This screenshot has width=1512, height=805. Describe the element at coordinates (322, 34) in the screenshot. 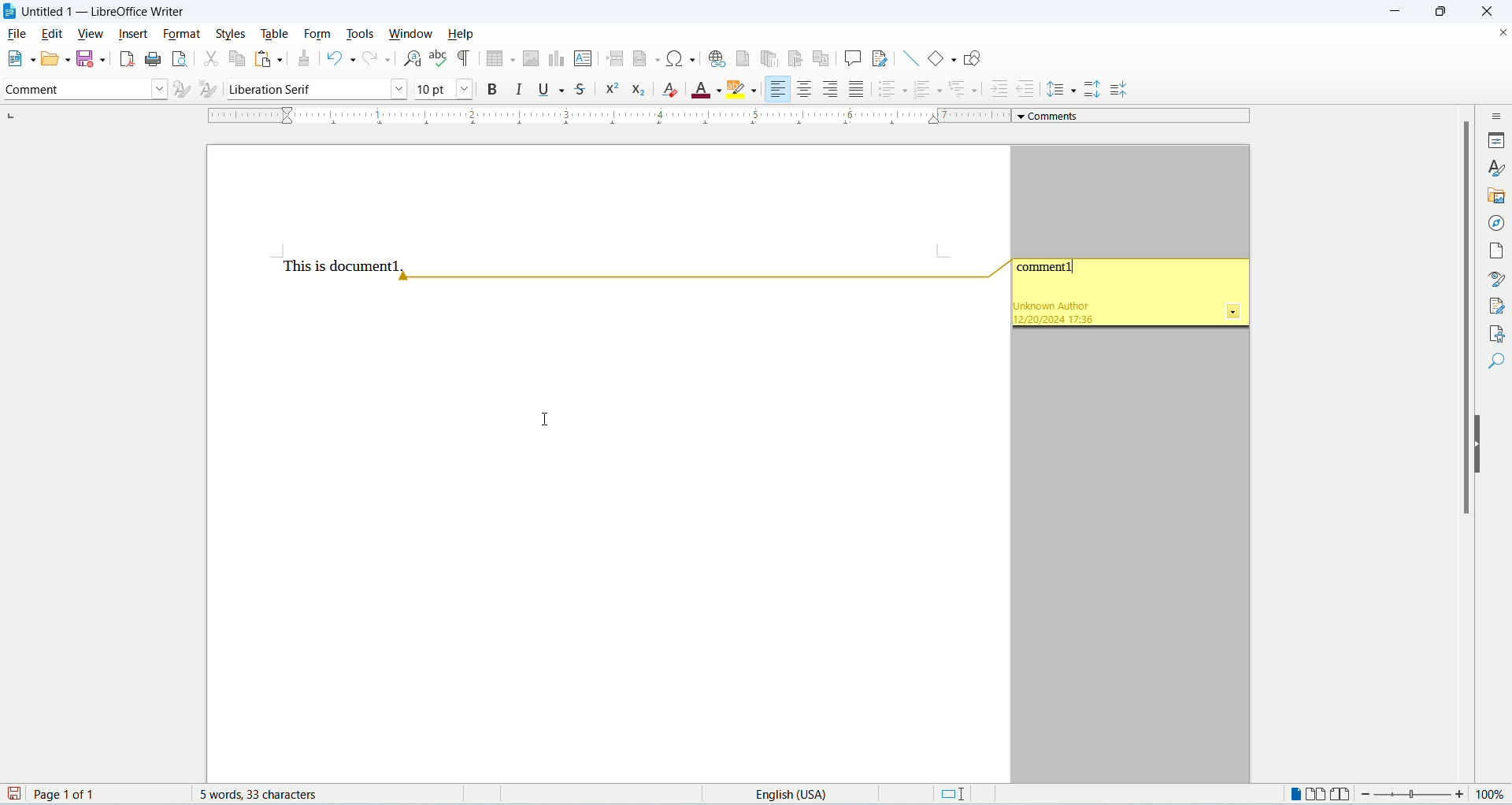

I see `form` at that location.